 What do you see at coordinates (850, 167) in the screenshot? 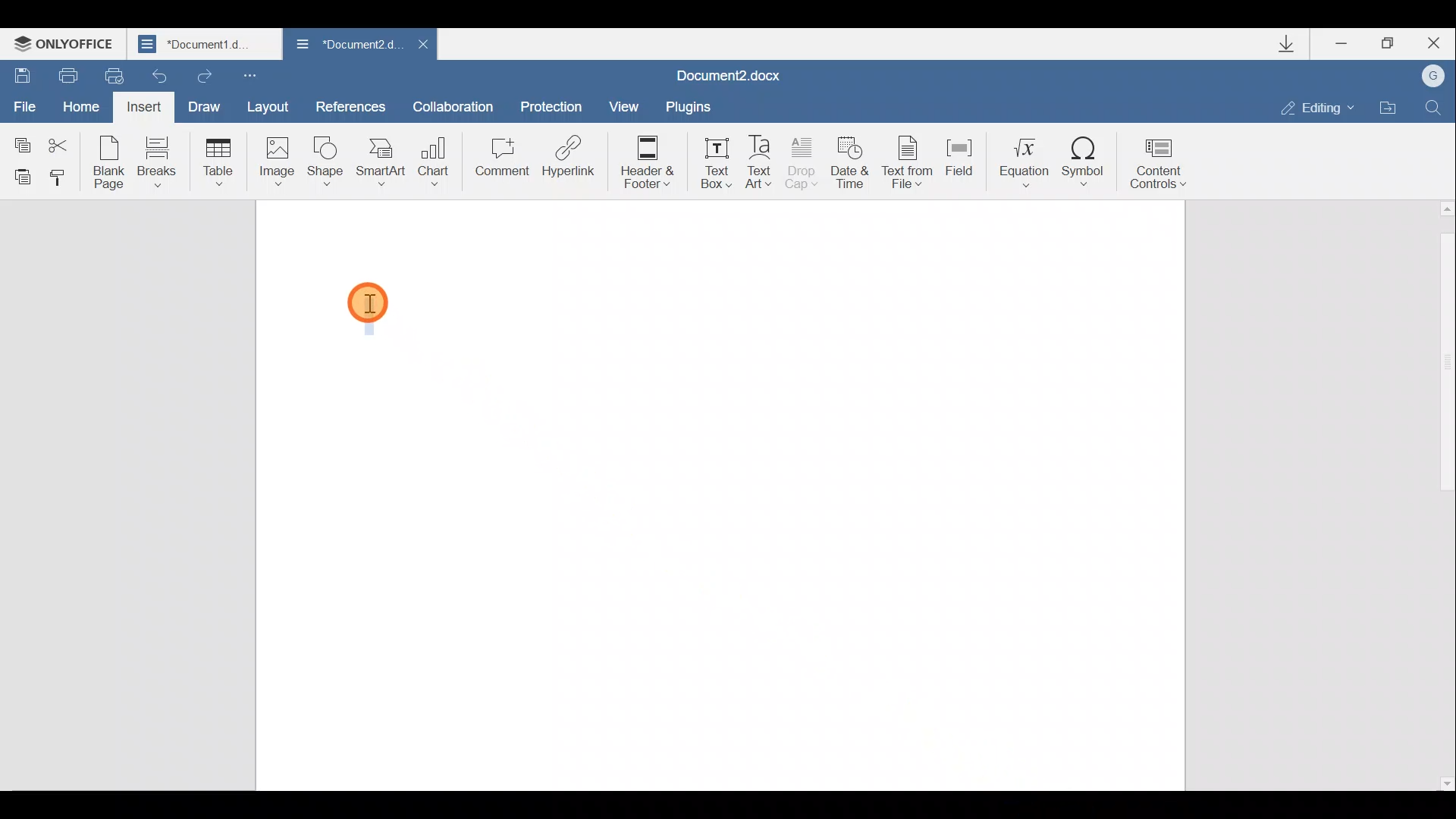
I see `Date & time` at bounding box center [850, 167].